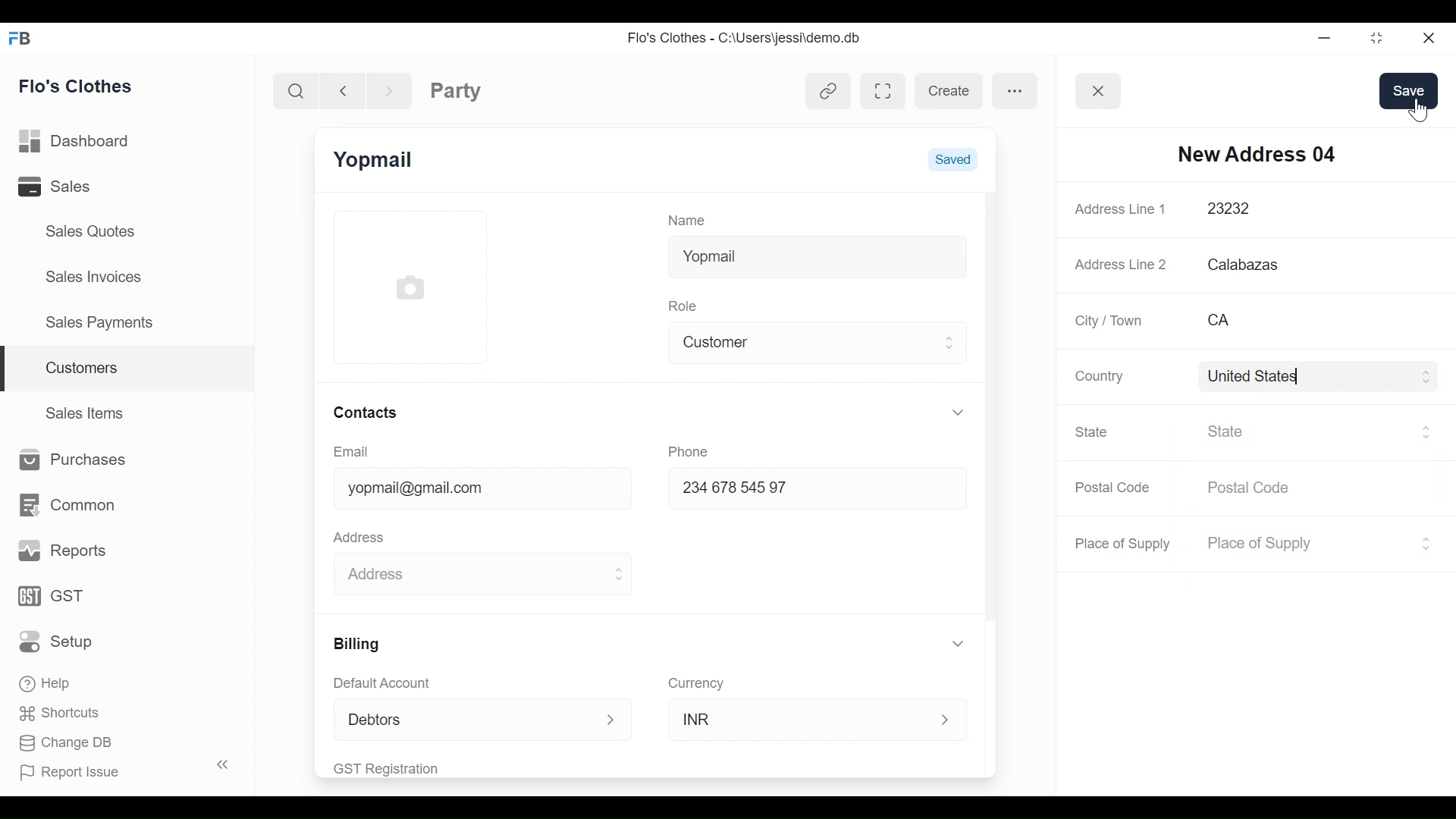 Image resolution: width=1456 pixels, height=819 pixels. What do you see at coordinates (1308, 431) in the screenshot?
I see `State` at bounding box center [1308, 431].